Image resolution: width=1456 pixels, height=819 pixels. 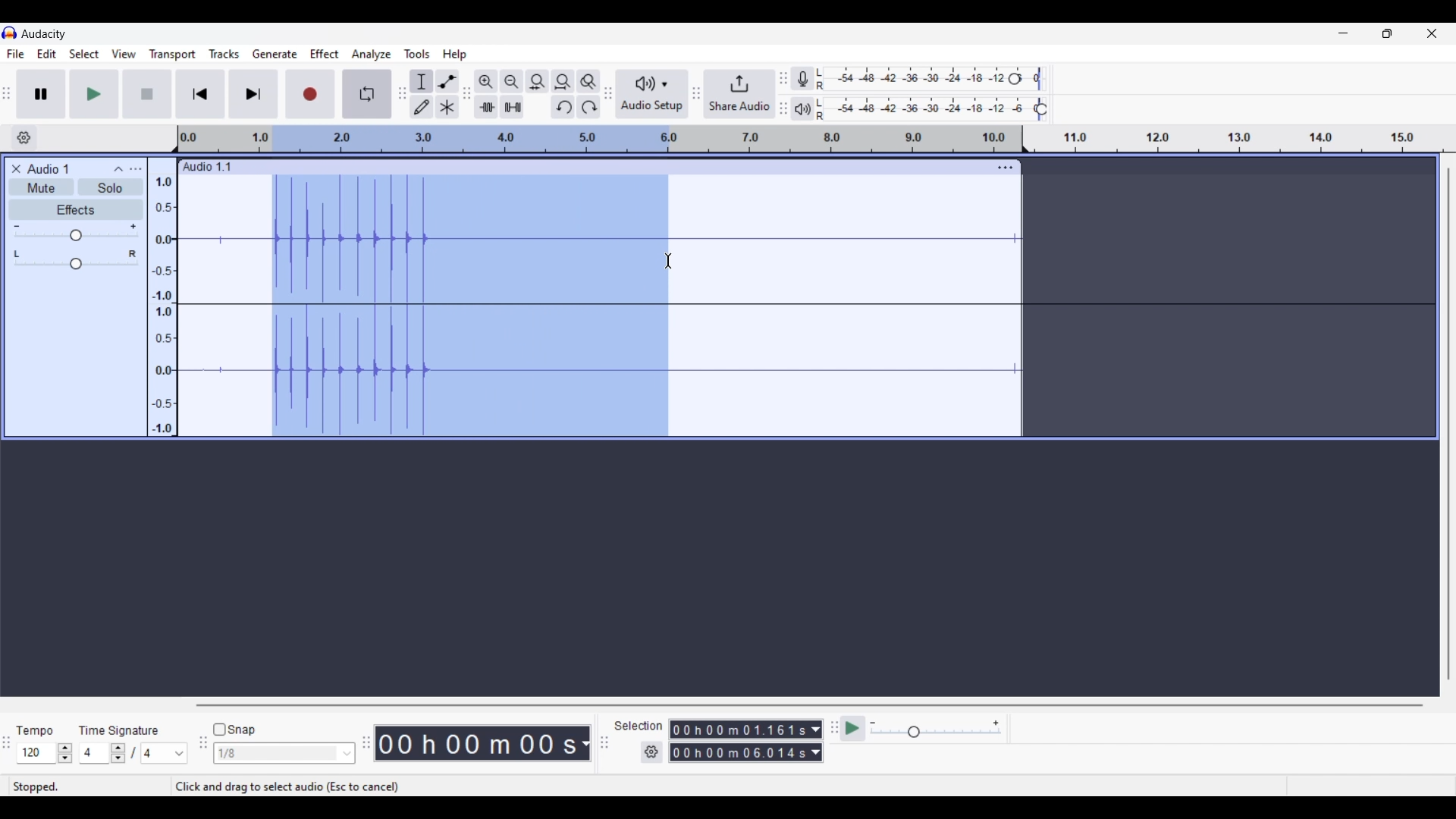 I want to click on Scale to measure audio pitch, so click(x=162, y=297).